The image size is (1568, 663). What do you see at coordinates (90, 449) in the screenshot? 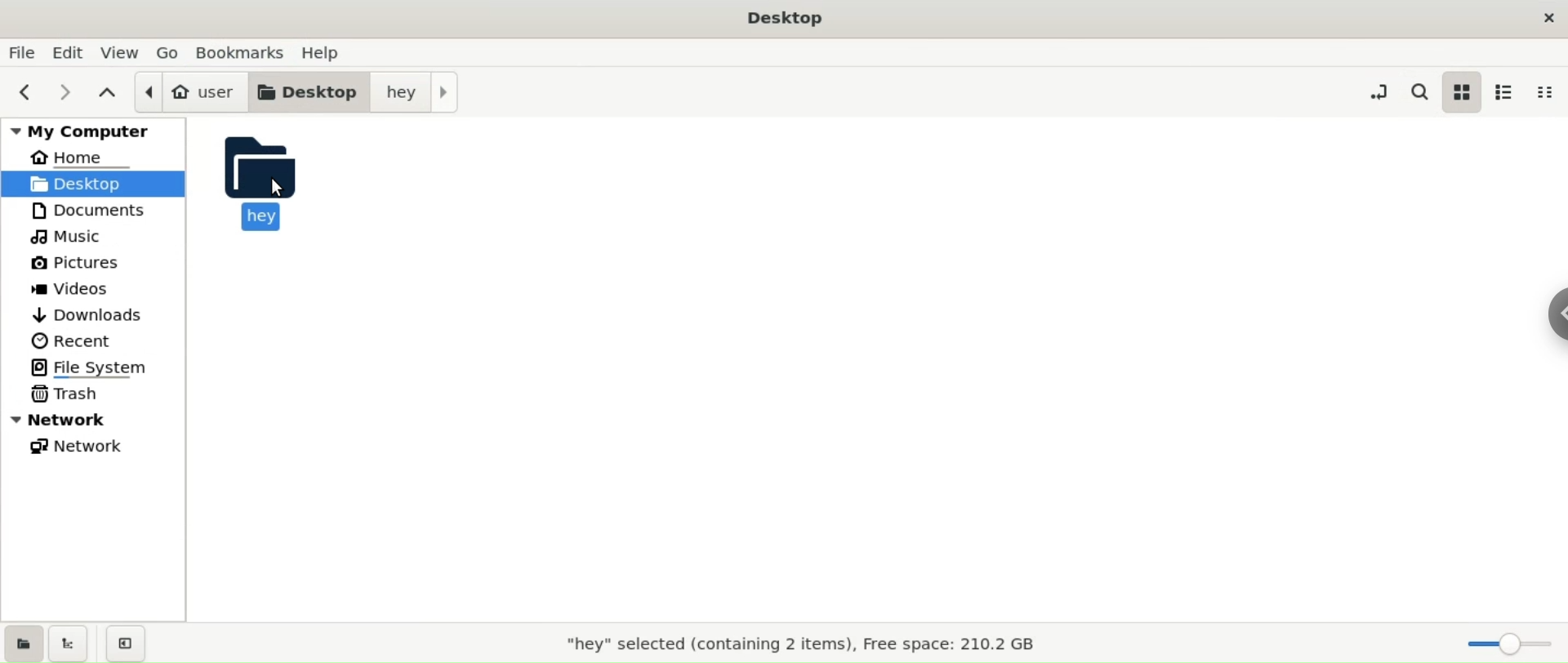
I see `network` at bounding box center [90, 449].